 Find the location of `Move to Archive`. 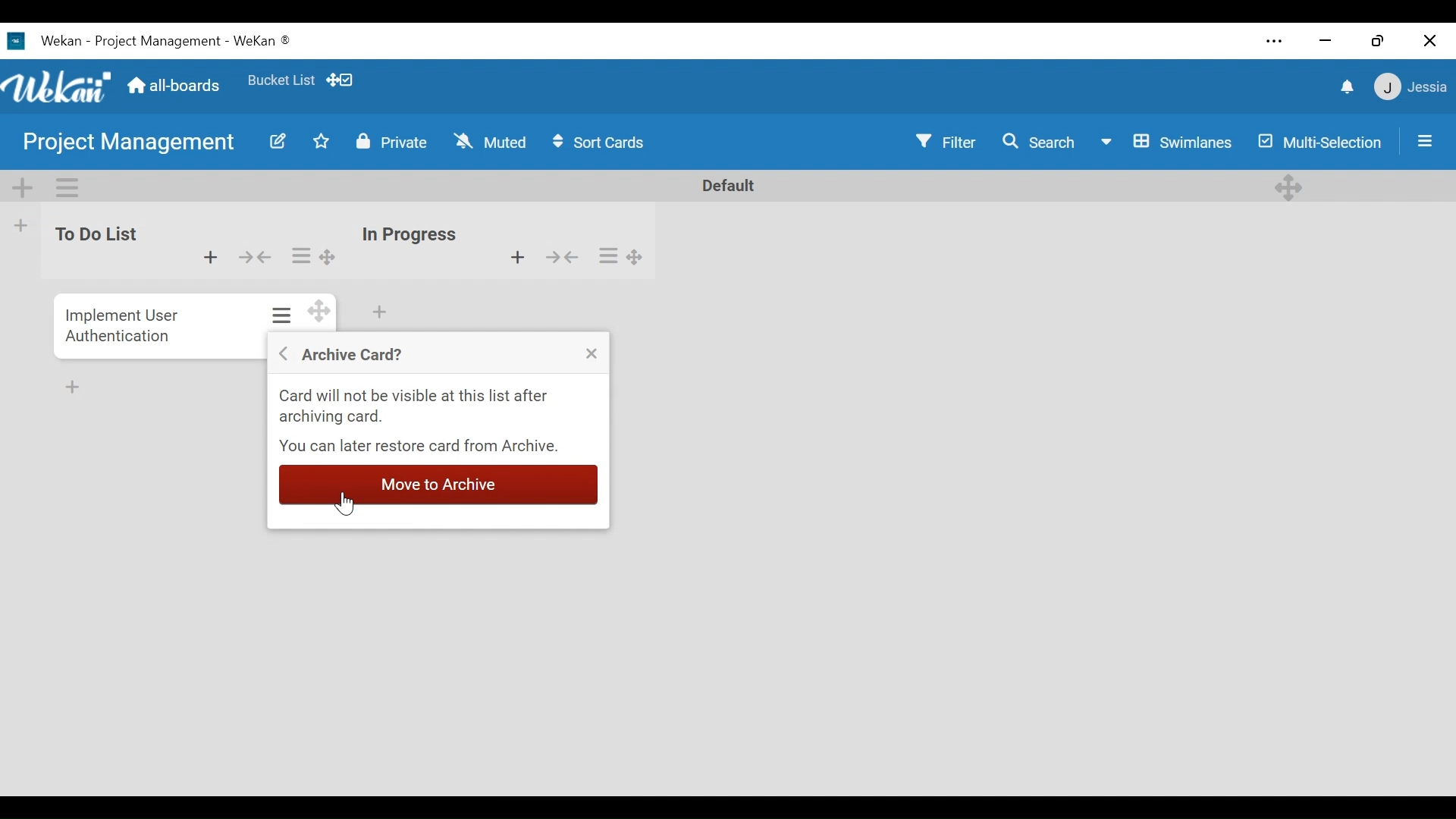

Move to Archive is located at coordinates (438, 483).